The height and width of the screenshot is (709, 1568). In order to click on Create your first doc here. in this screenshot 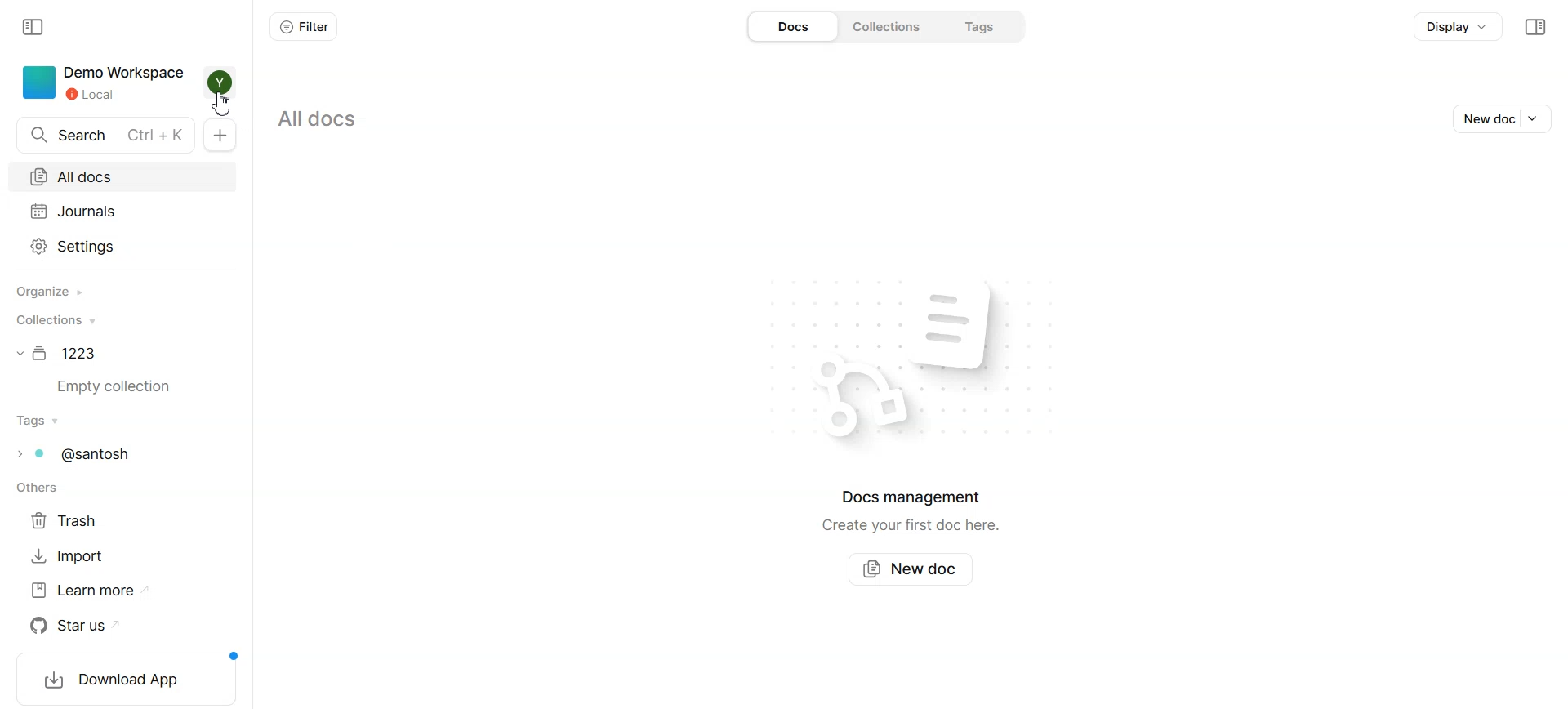, I will do `click(910, 526)`.